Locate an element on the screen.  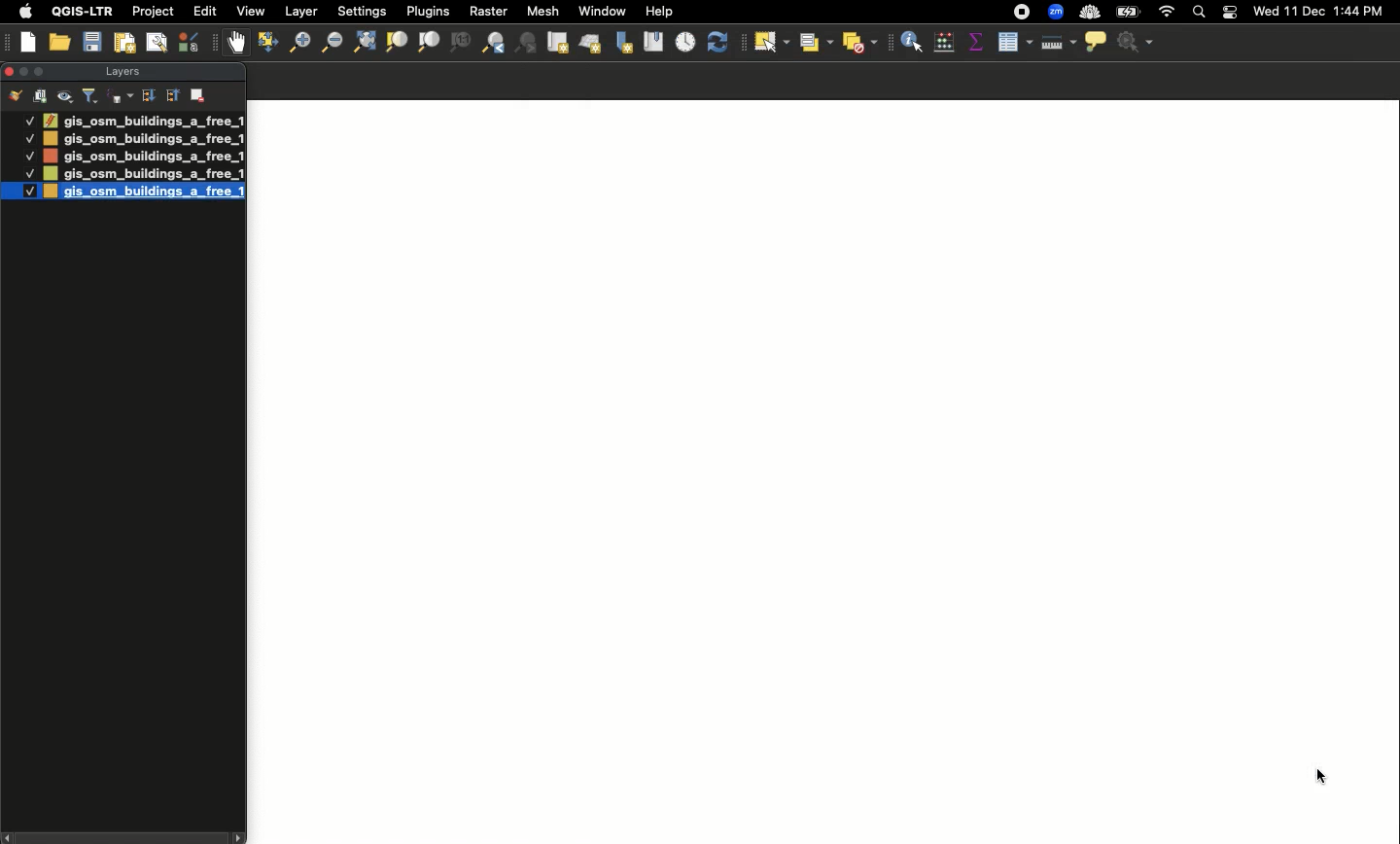
Project is located at coordinates (153, 13).